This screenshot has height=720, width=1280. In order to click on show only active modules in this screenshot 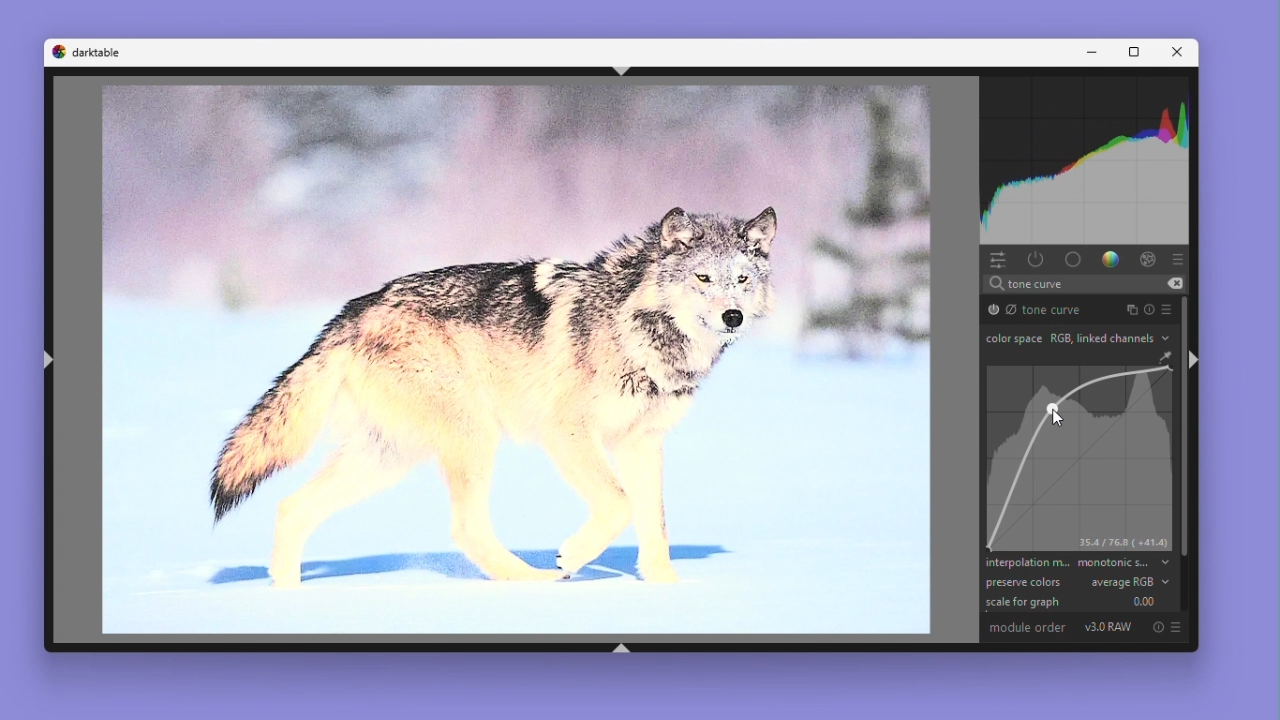, I will do `click(1035, 260)`.